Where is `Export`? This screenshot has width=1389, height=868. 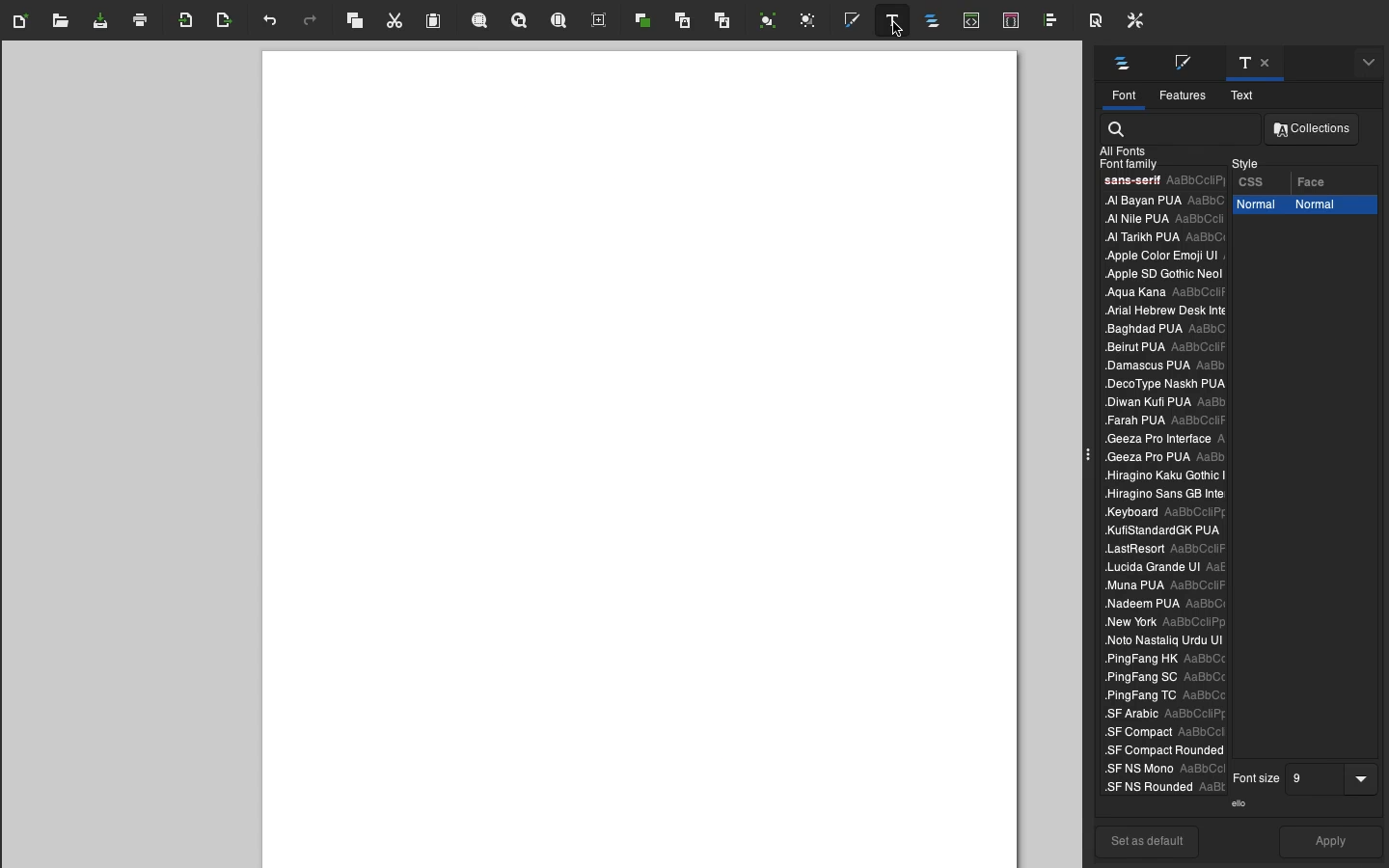
Export is located at coordinates (226, 21).